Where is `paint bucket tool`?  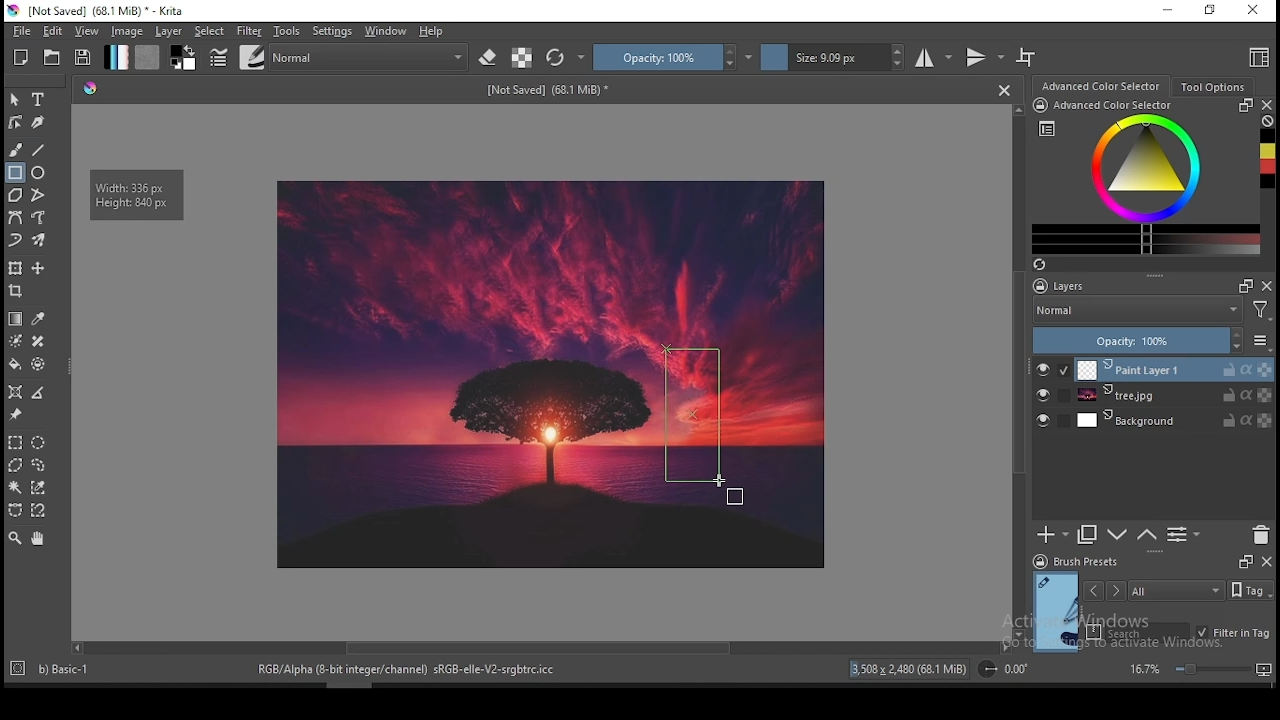
paint bucket tool is located at coordinates (17, 365).